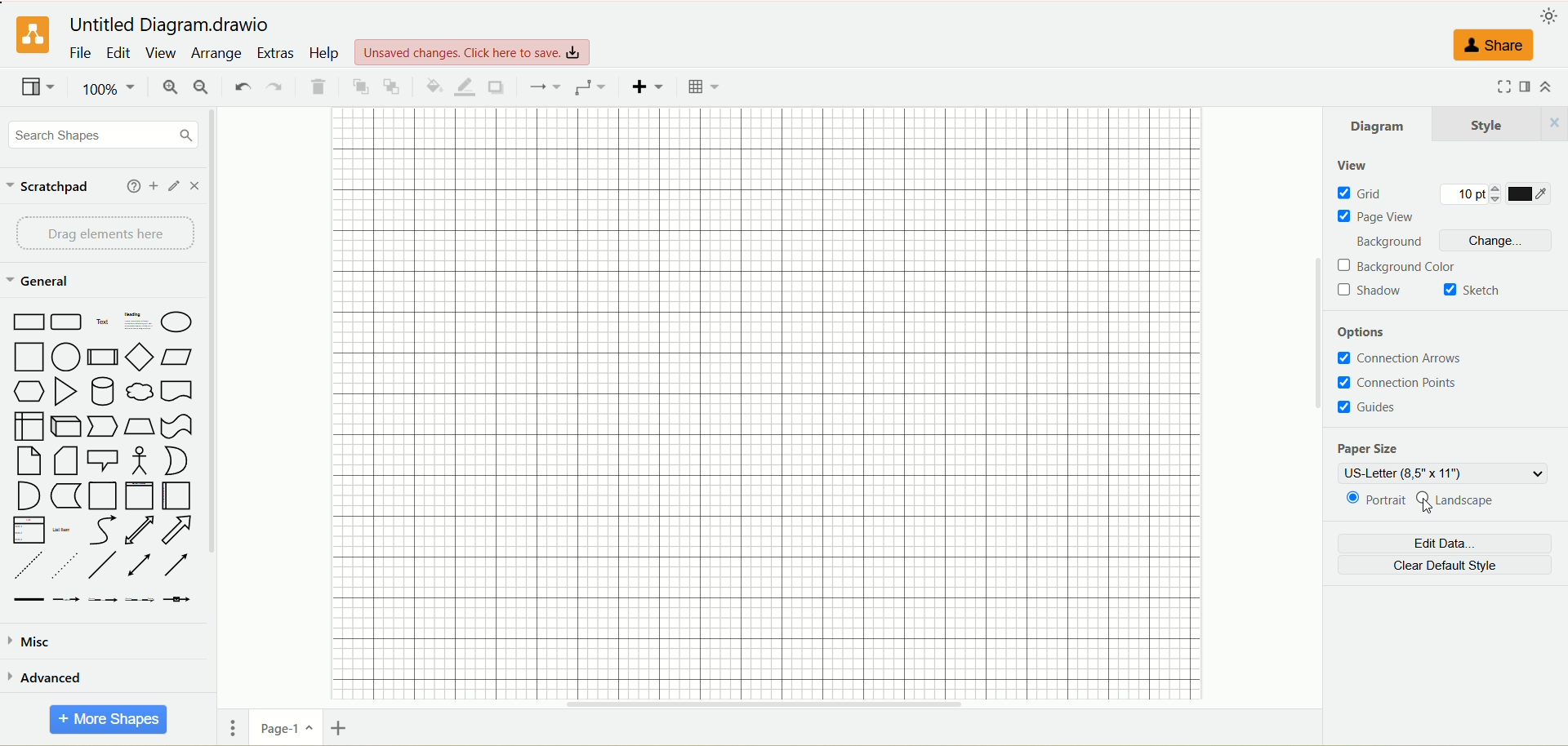 The width and height of the screenshot is (1568, 746). Describe the element at coordinates (46, 282) in the screenshot. I see `general` at that location.